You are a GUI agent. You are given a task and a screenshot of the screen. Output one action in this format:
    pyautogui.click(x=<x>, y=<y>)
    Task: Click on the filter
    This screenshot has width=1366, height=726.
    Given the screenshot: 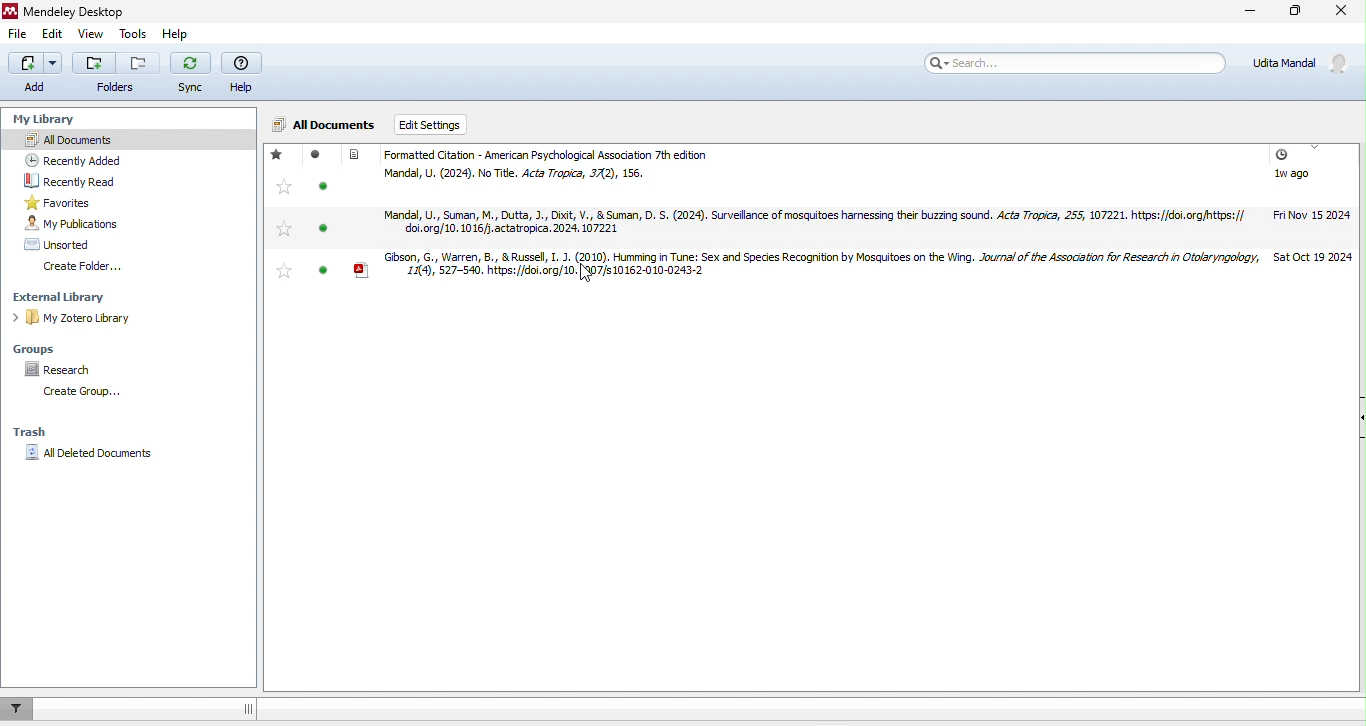 What is the action you would take?
    pyautogui.click(x=20, y=708)
    